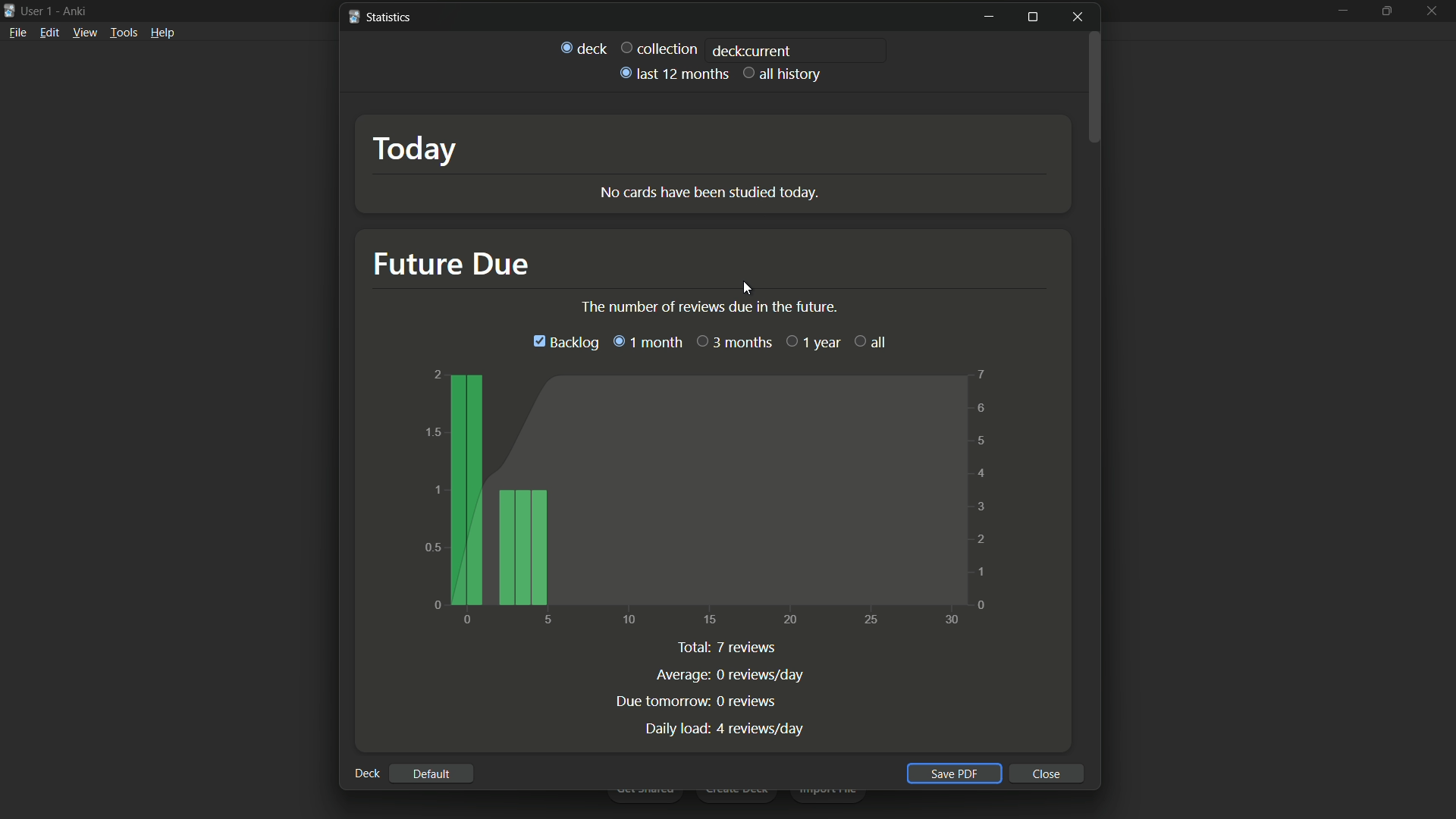 This screenshot has height=819, width=1456. Describe the element at coordinates (1341, 12) in the screenshot. I see `minimize` at that location.